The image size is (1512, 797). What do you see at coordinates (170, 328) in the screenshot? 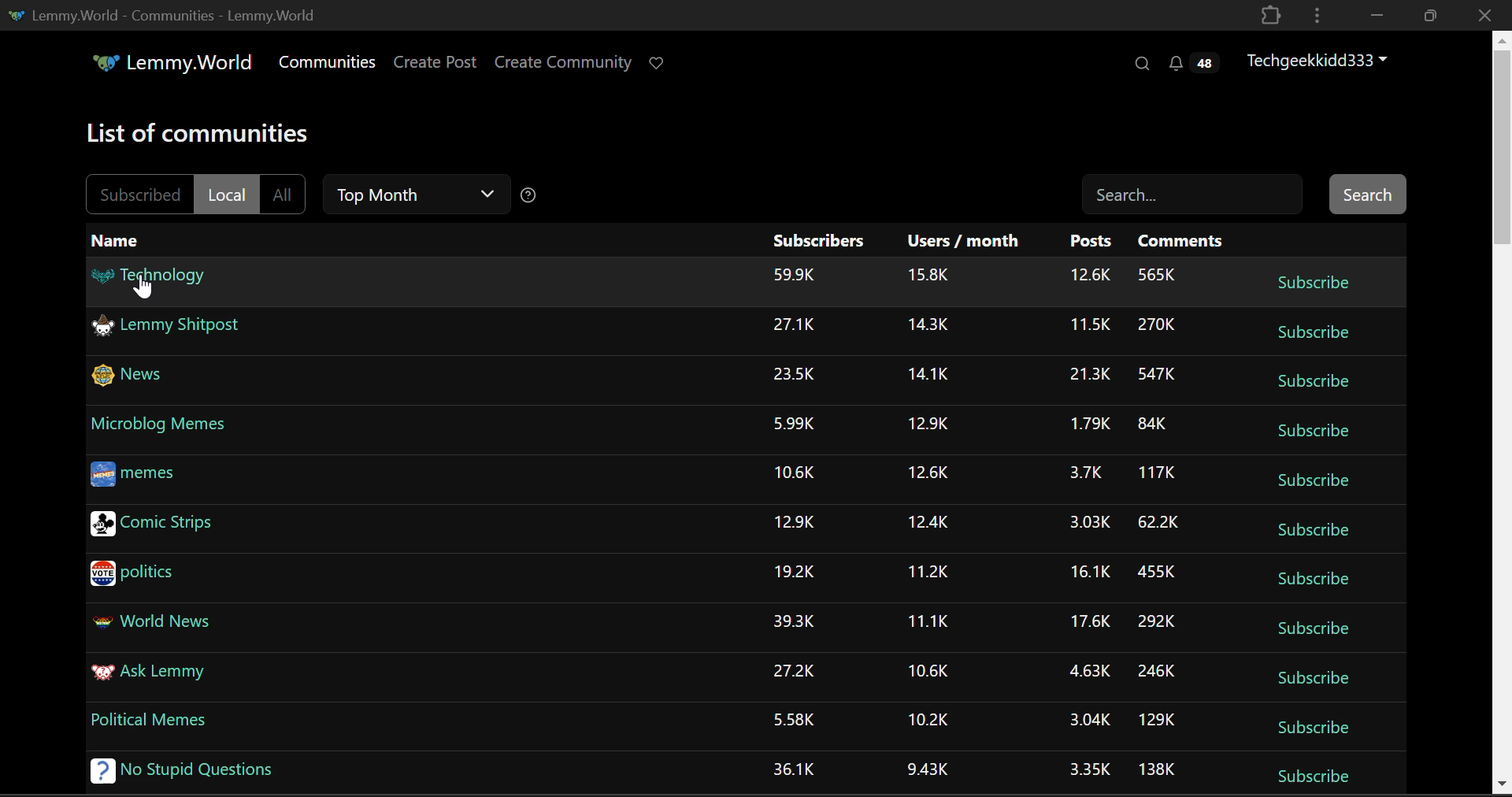
I see `Lemmy Shitpost` at bounding box center [170, 328].